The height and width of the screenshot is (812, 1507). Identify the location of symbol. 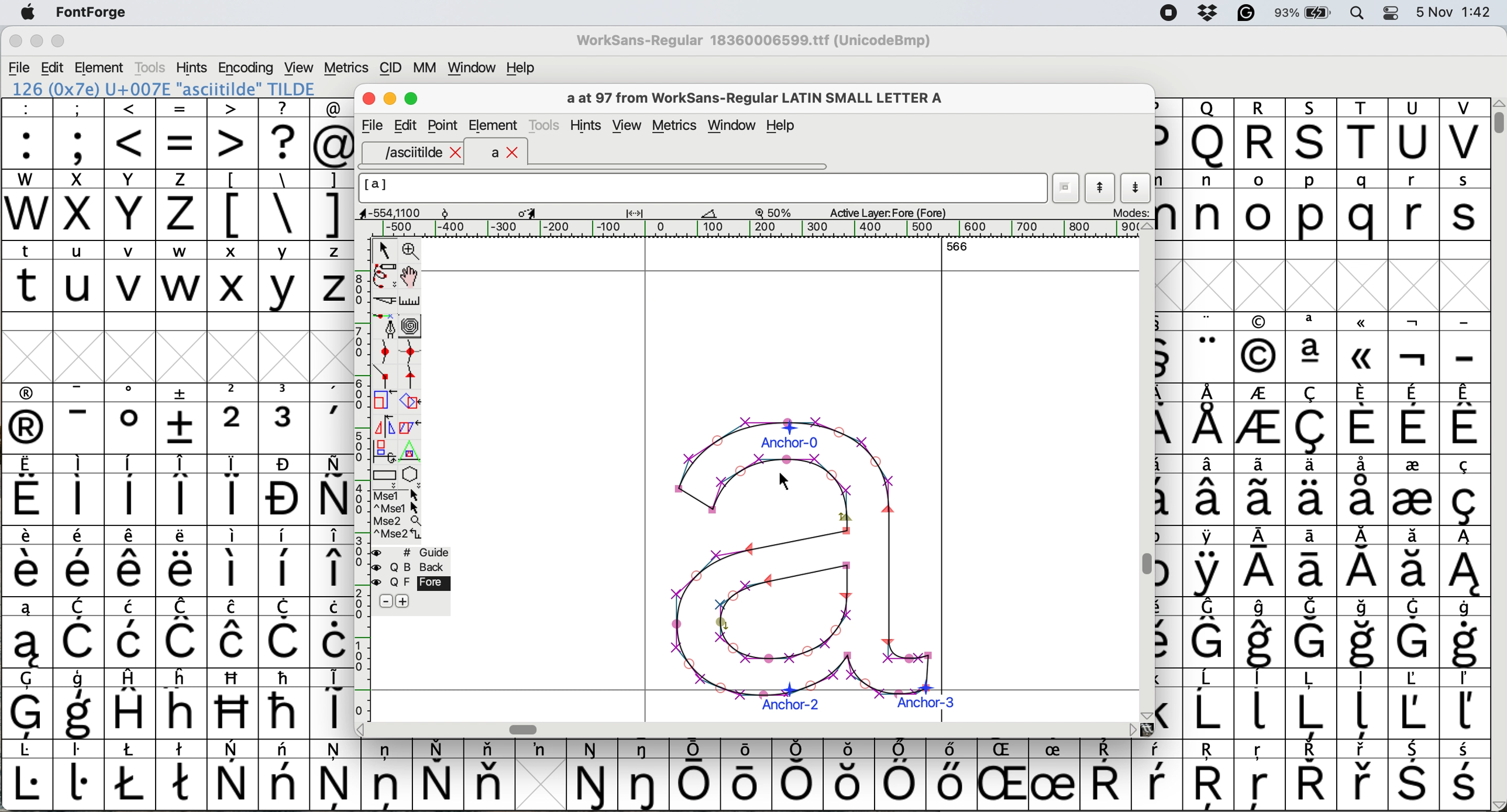
(1413, 419).